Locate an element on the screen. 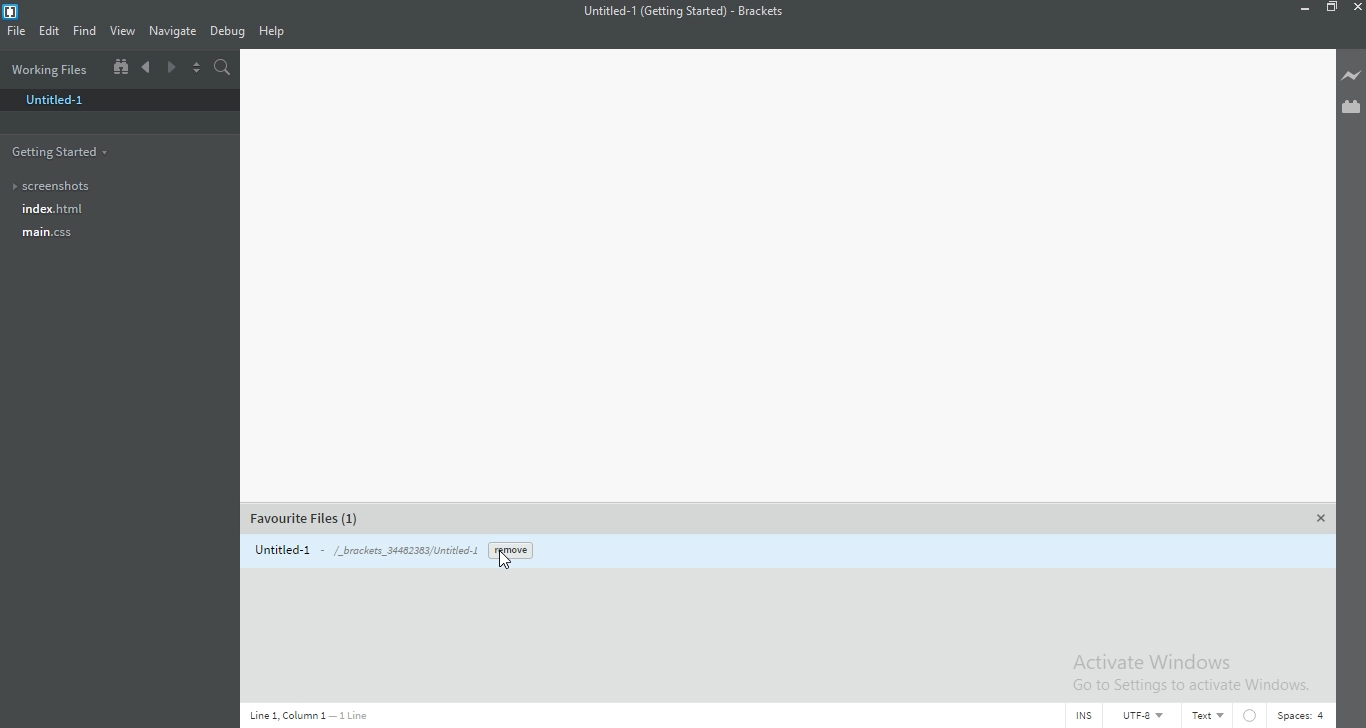 Image resolution: width=1366 pixels, height=728 pixels. Close is located at coordinates (1357, 8).